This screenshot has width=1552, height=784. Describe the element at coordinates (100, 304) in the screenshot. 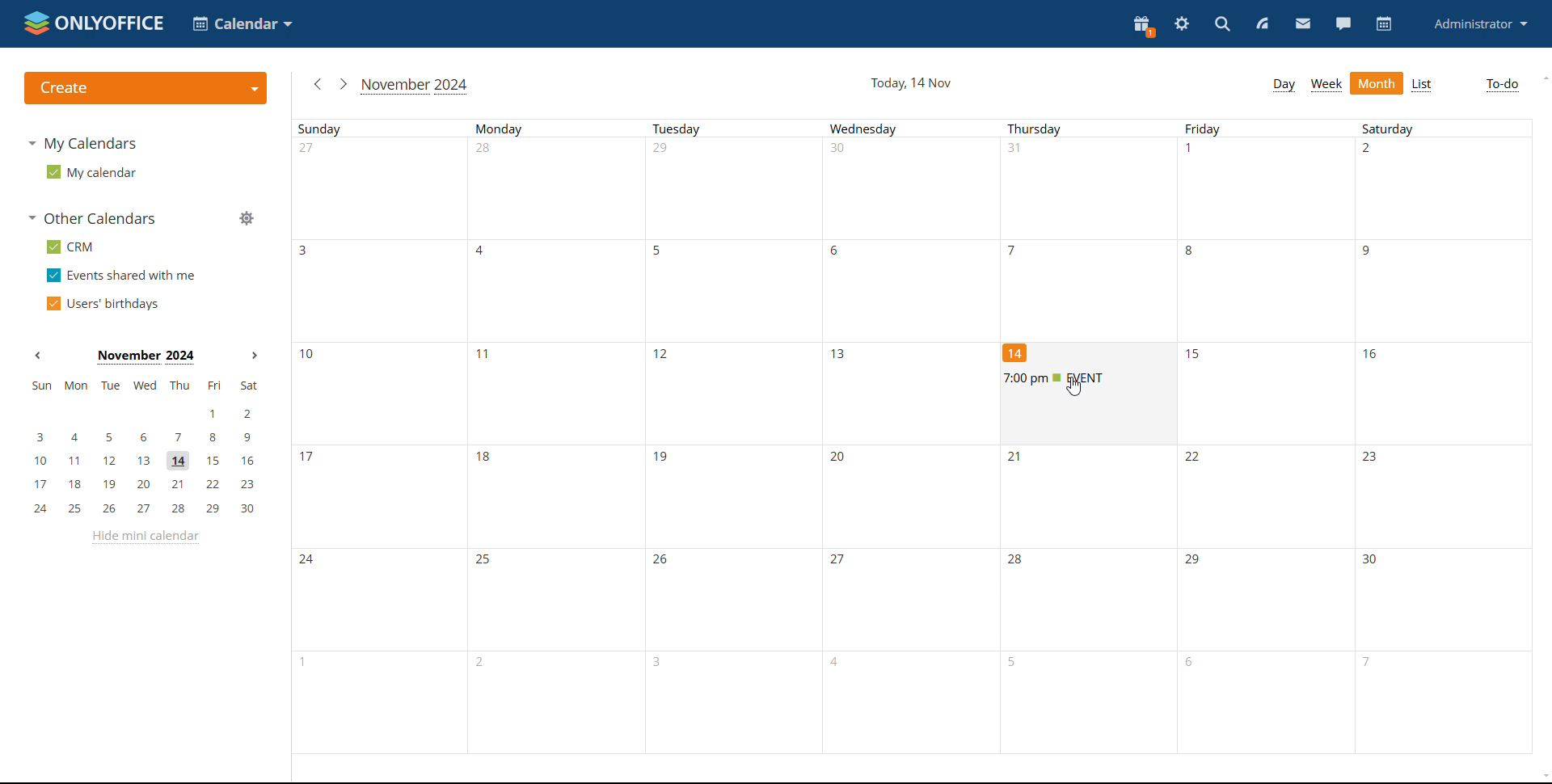

I see `users' birthdays` at that location.